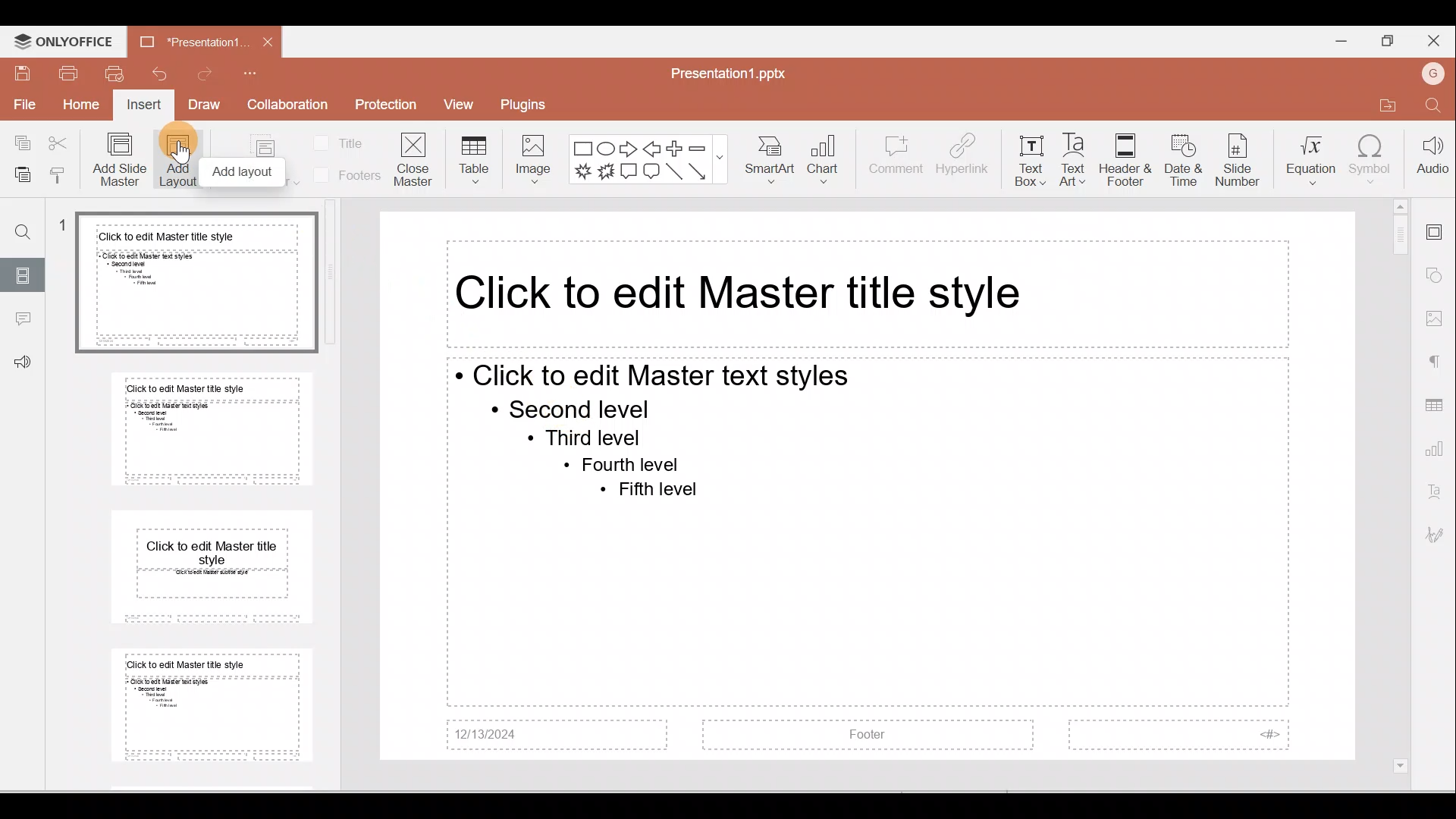 This screenshot has height=819, width=1456. What do you see at coordinates (187, 39) in the screenshot?
I see `Document name` at bounding box center [187, 39].